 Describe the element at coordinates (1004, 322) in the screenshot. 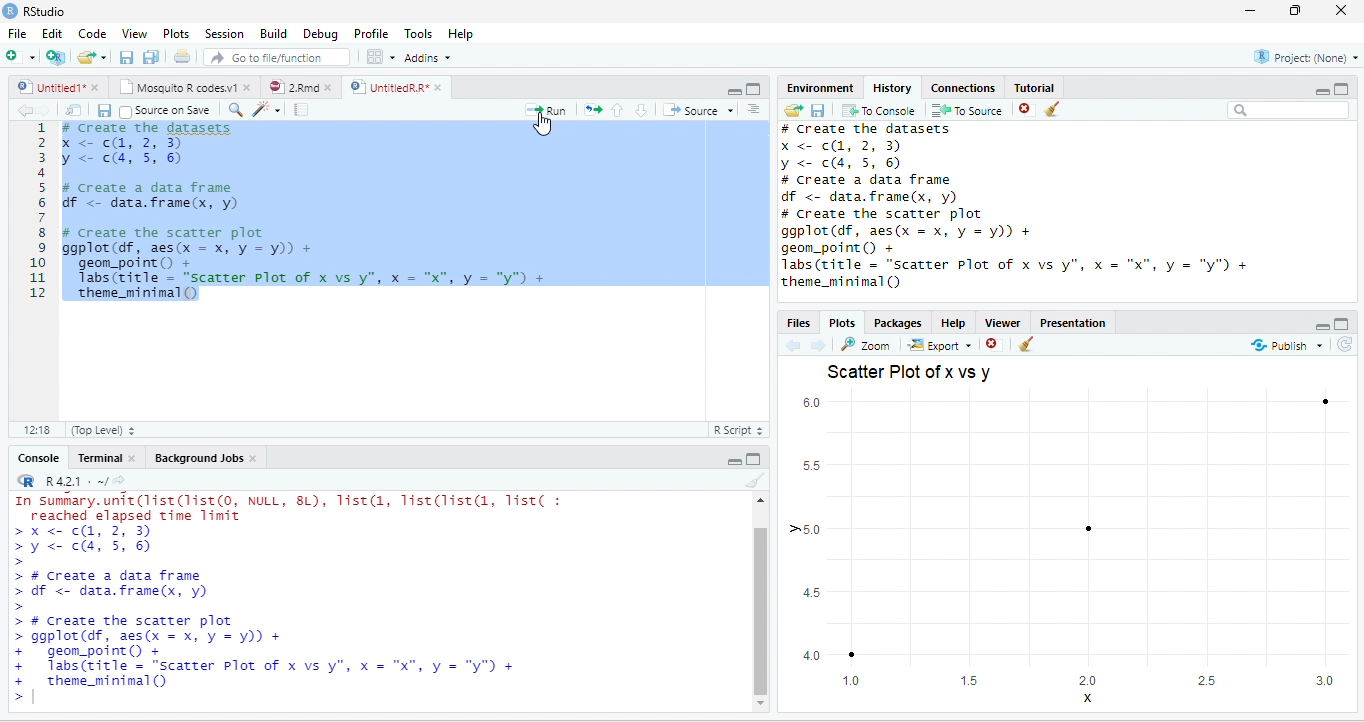

I see `Viewer` at that location.